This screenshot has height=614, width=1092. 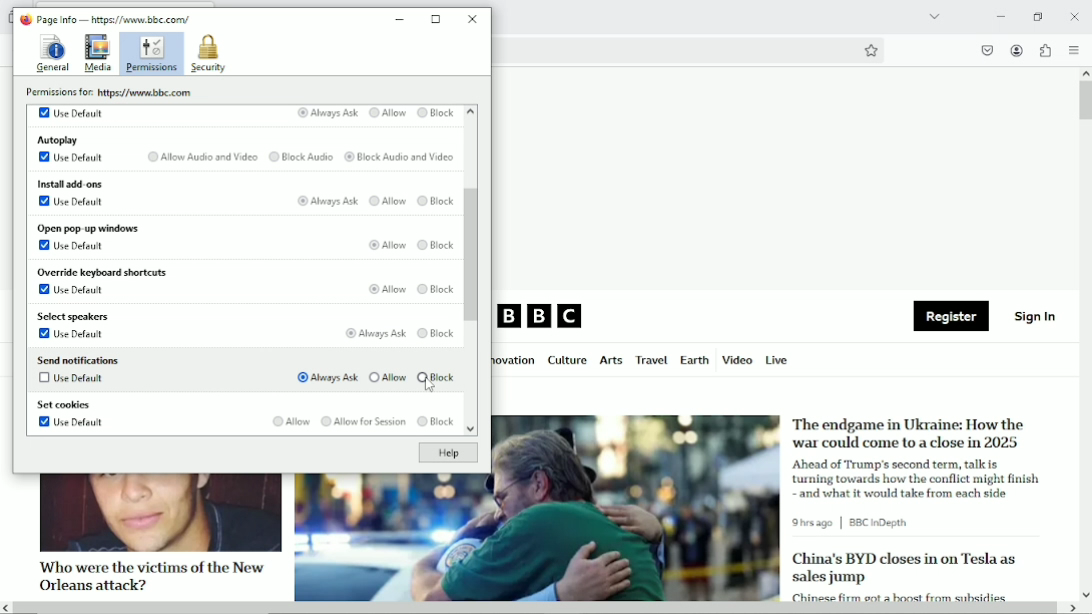 What do you see at coordinates (400, 20) in the screenshot?
I see `minimize` at bounding box center [400, 20].